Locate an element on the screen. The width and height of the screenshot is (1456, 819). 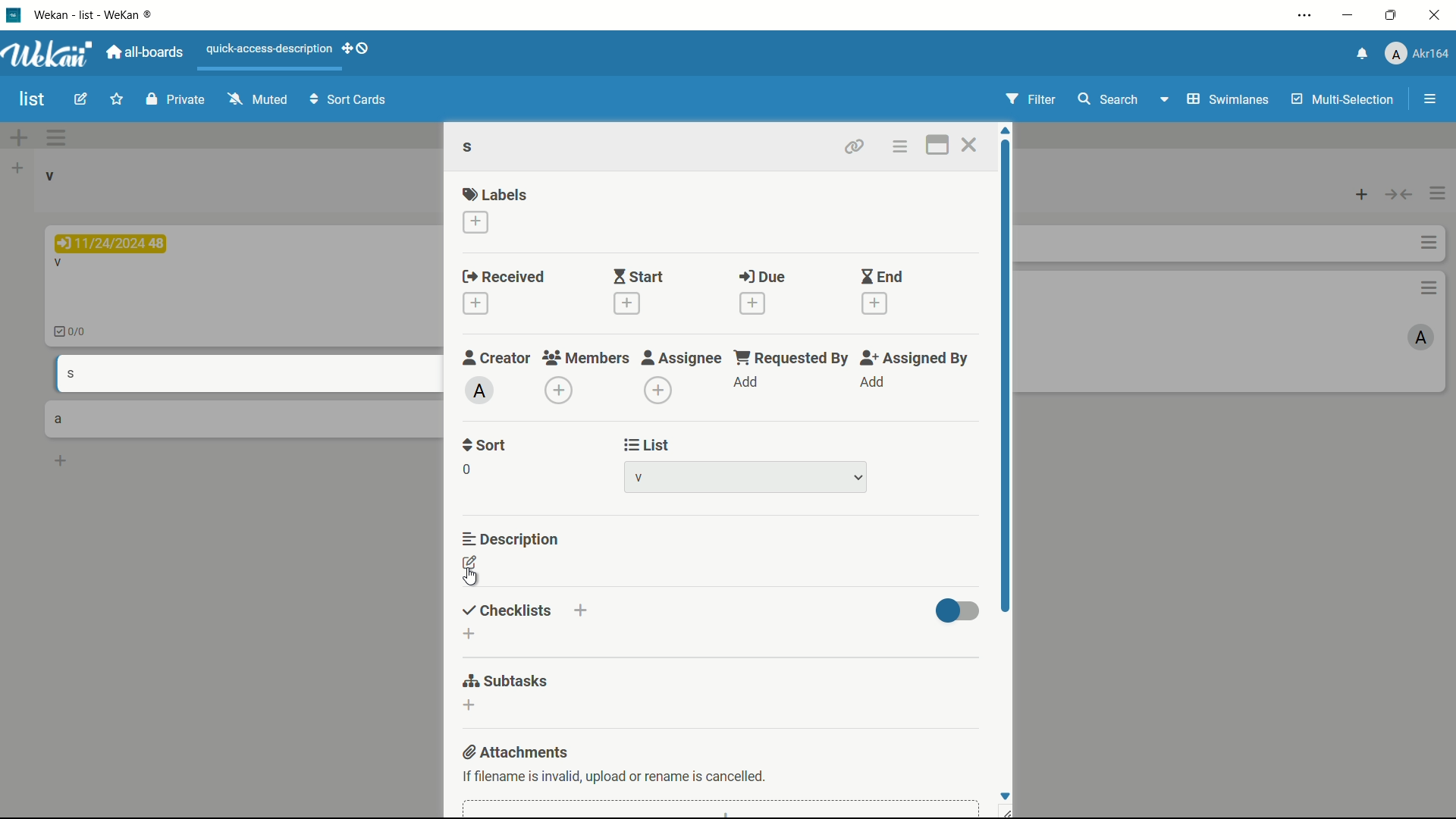
maximize card is located at coordinates (939, 145).